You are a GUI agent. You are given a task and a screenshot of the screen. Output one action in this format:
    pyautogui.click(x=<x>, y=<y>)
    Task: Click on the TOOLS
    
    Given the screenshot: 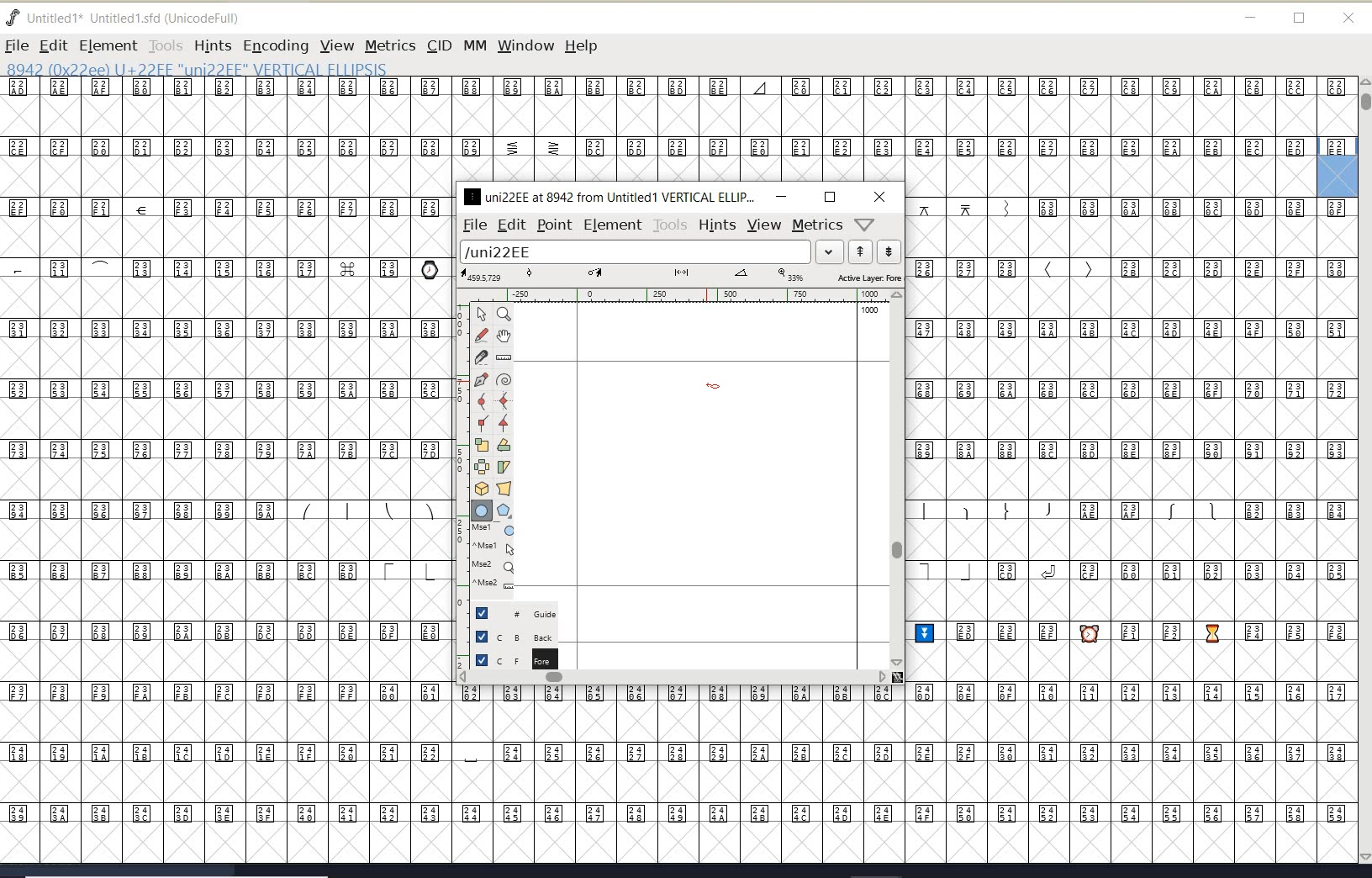 What is the action you would take?
    pyautogui.click(x=165, y=45)
    